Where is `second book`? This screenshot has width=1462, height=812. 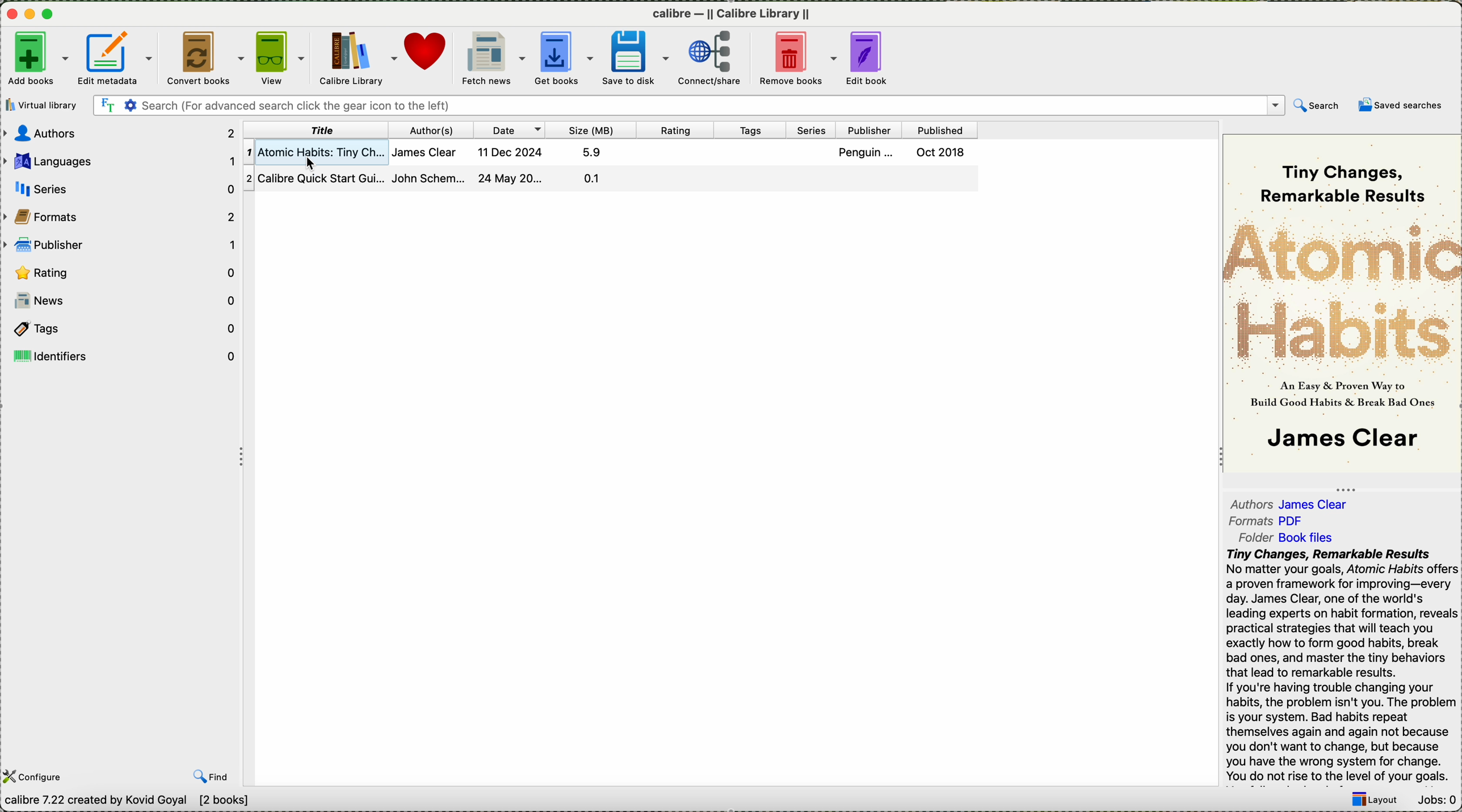
second book is located at coordinates (610, 179).